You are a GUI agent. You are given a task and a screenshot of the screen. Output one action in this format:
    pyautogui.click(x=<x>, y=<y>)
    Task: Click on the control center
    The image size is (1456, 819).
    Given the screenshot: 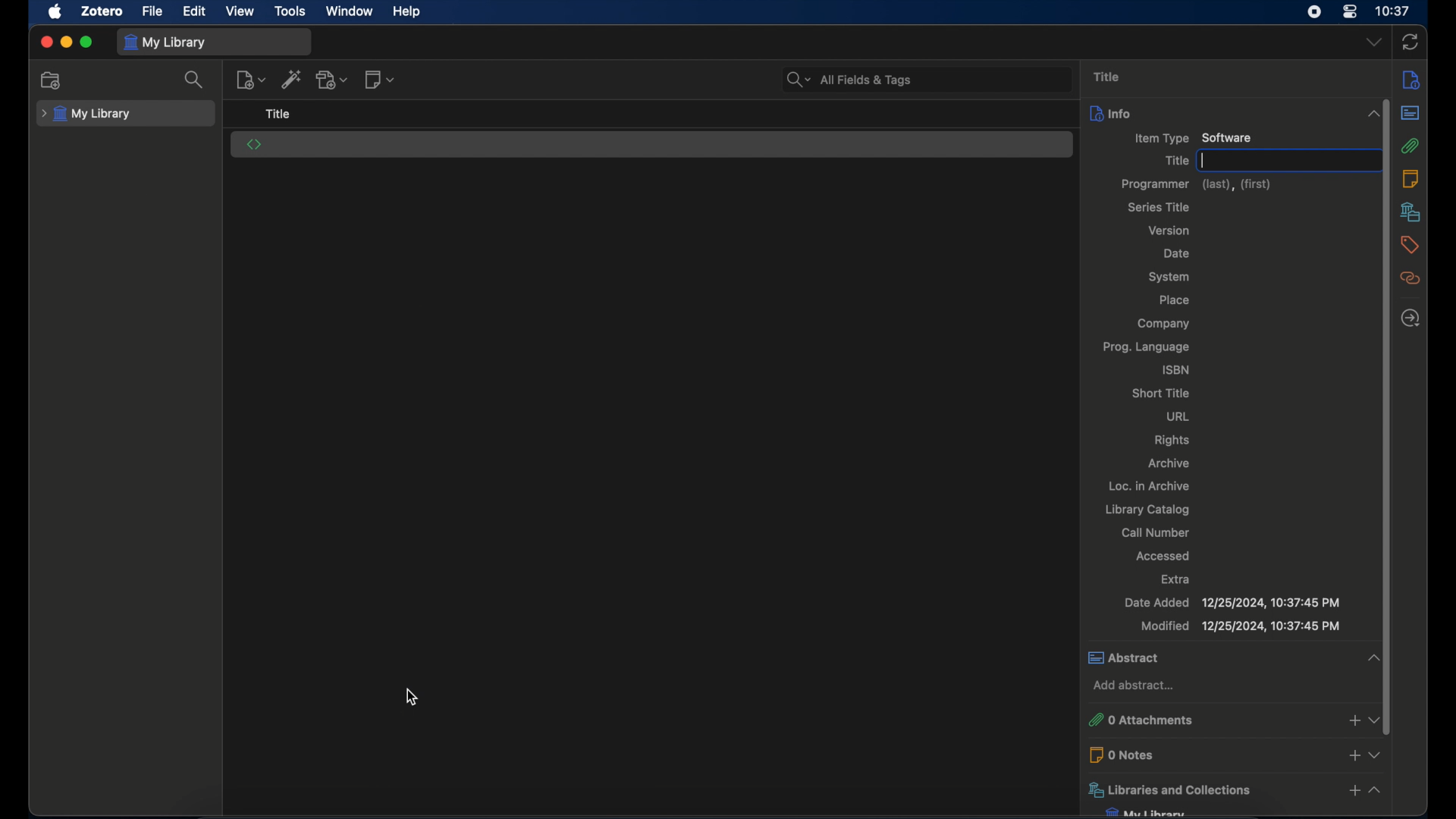 What is the action you would take?
    pyautogui.click(x=1351, y=13)
    